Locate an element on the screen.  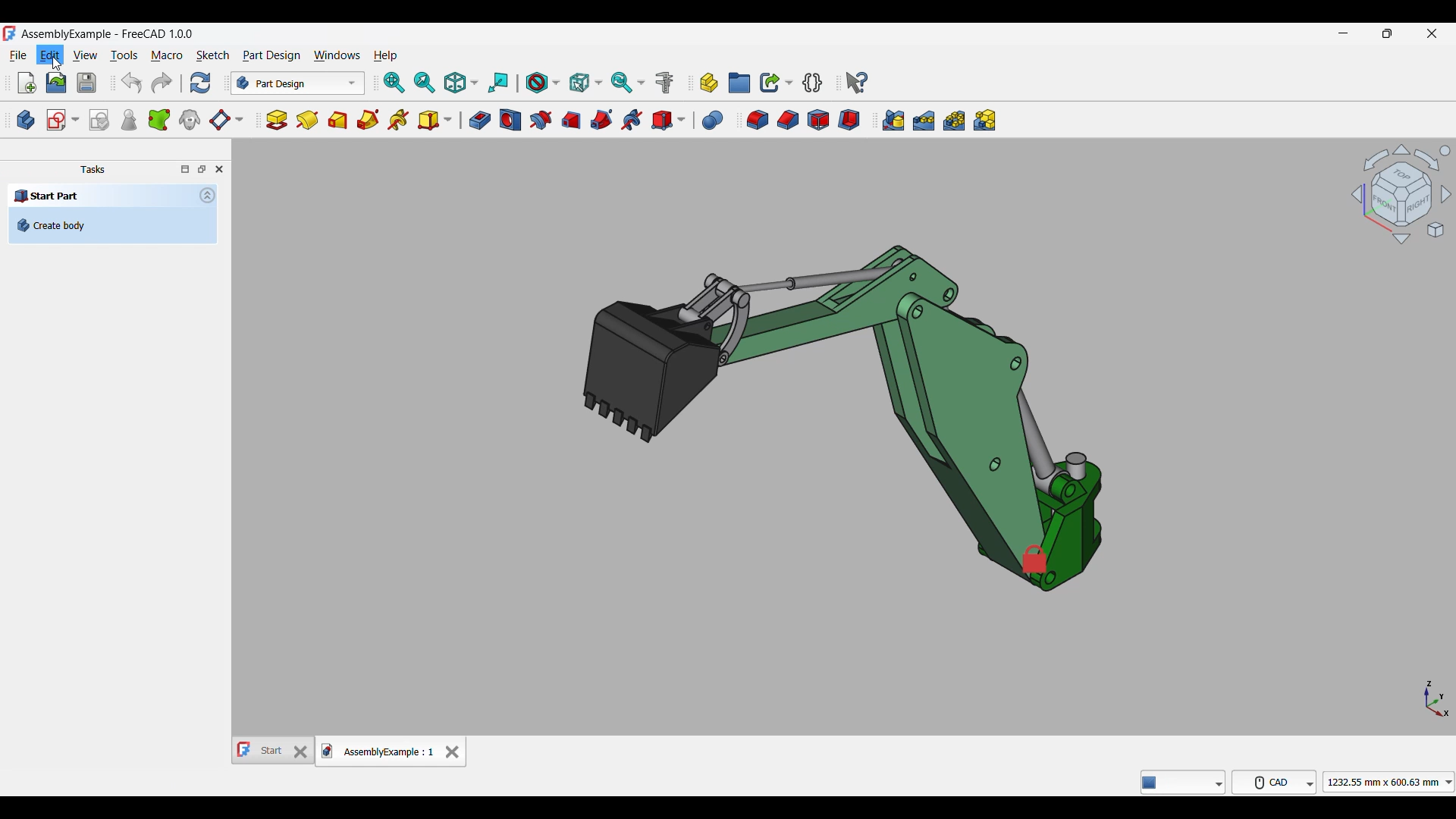
Polar pattern is located at coordinates (955, 121).